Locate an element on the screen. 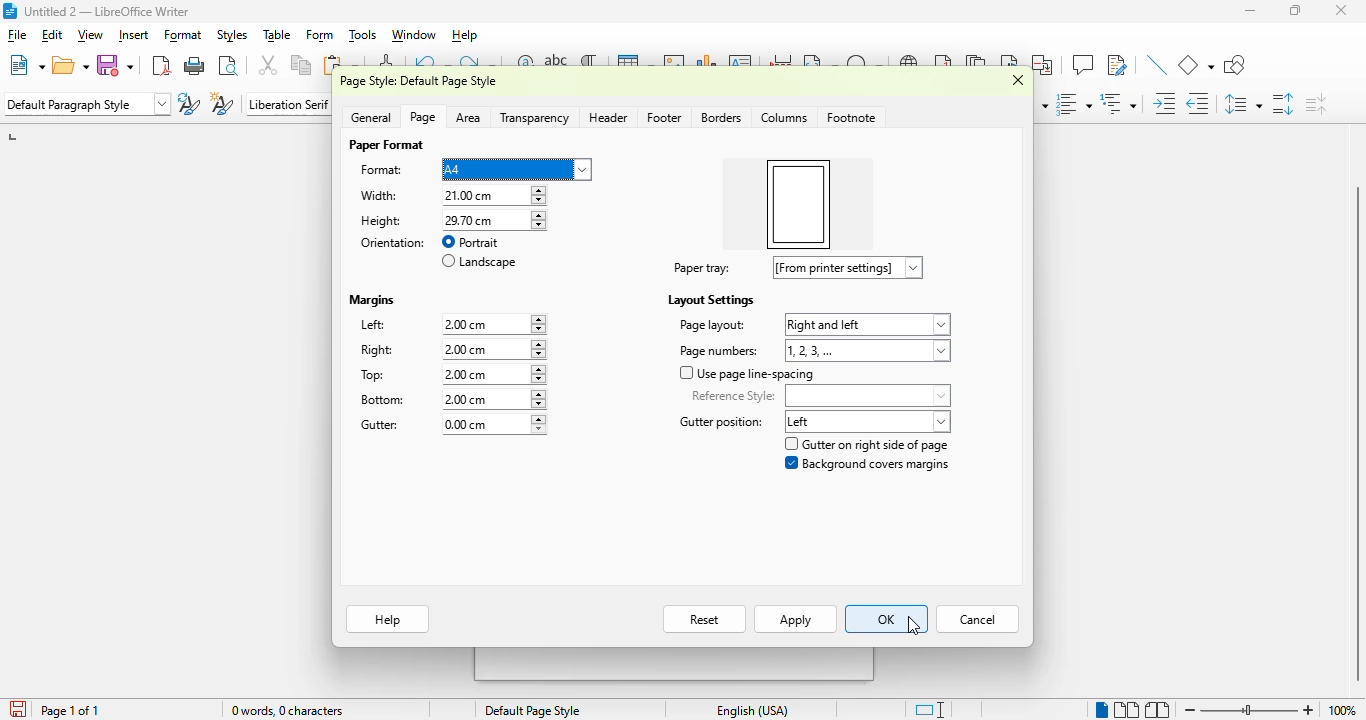 The height and width of the screenshot is (720, 1366). apply is located at coordinates (795, 619).